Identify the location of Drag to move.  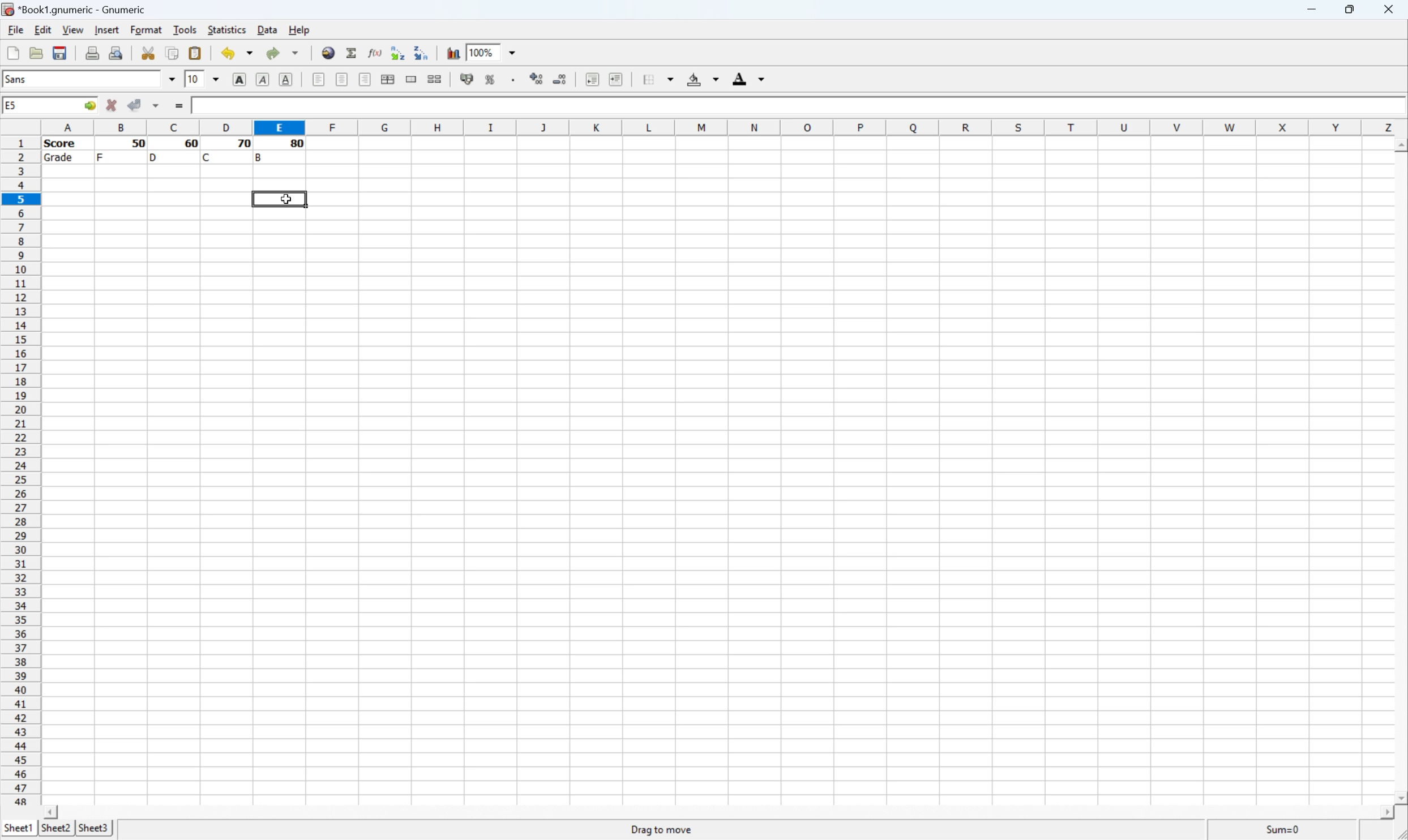
(662, 831).